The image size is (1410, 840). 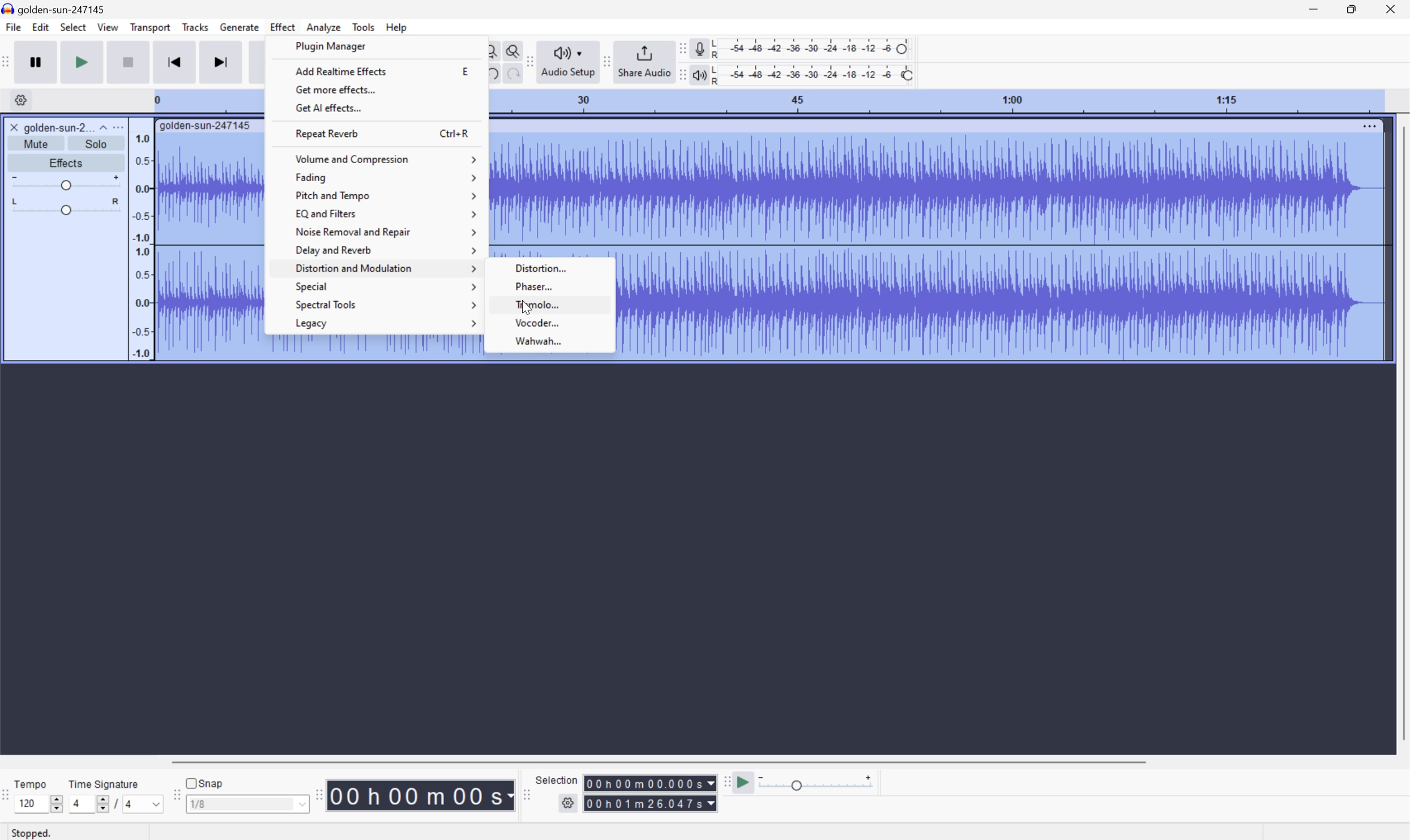 I want to click on Audacity Snapping toolbar, so click(x=176, y=796).